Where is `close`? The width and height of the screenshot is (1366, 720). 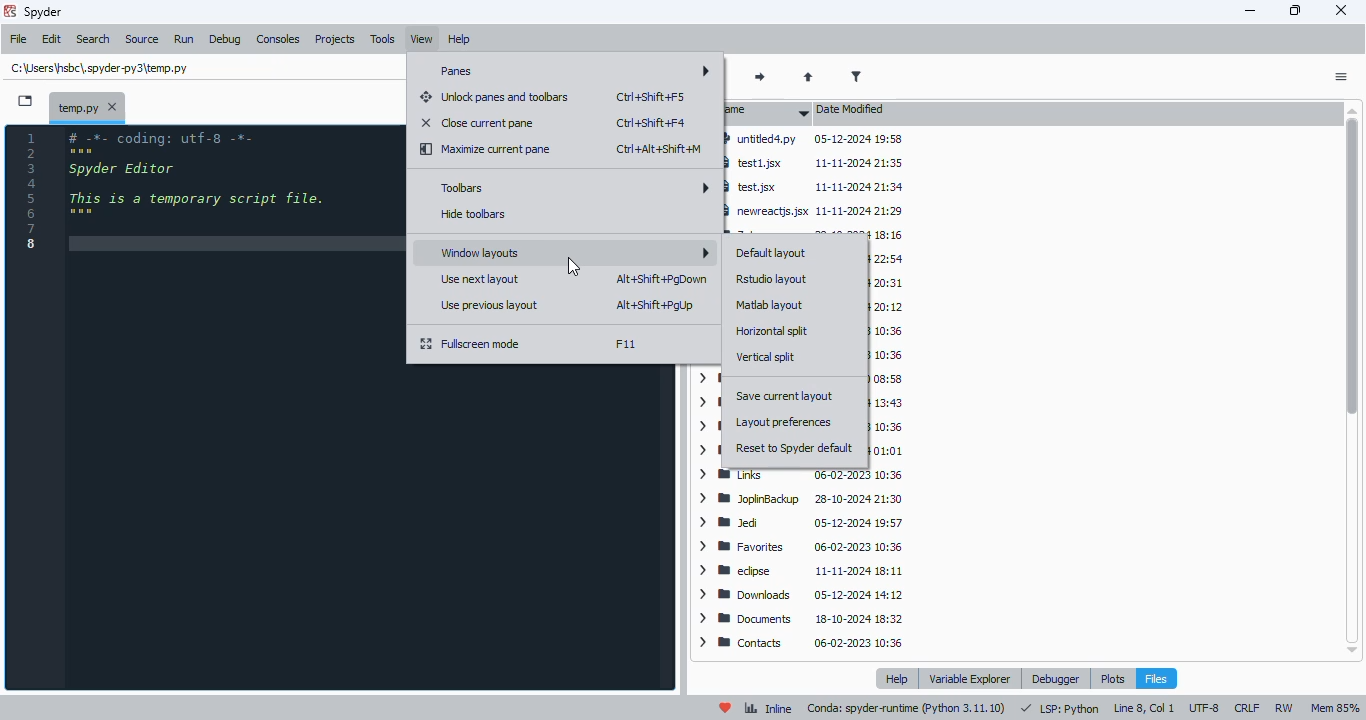 close is located at coordinates (1342, 9).